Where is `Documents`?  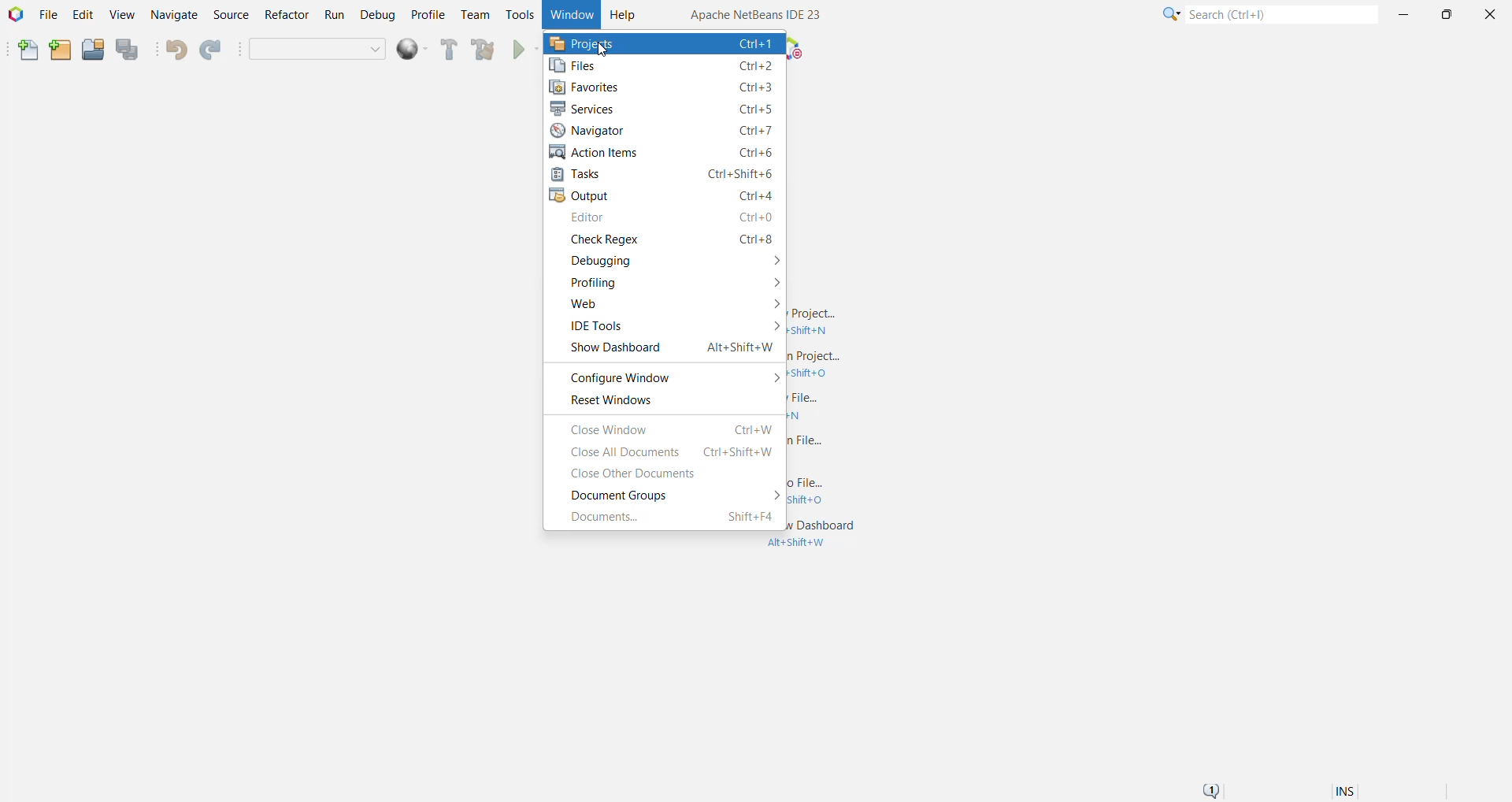
Documents is located at coordinates (672, 518).